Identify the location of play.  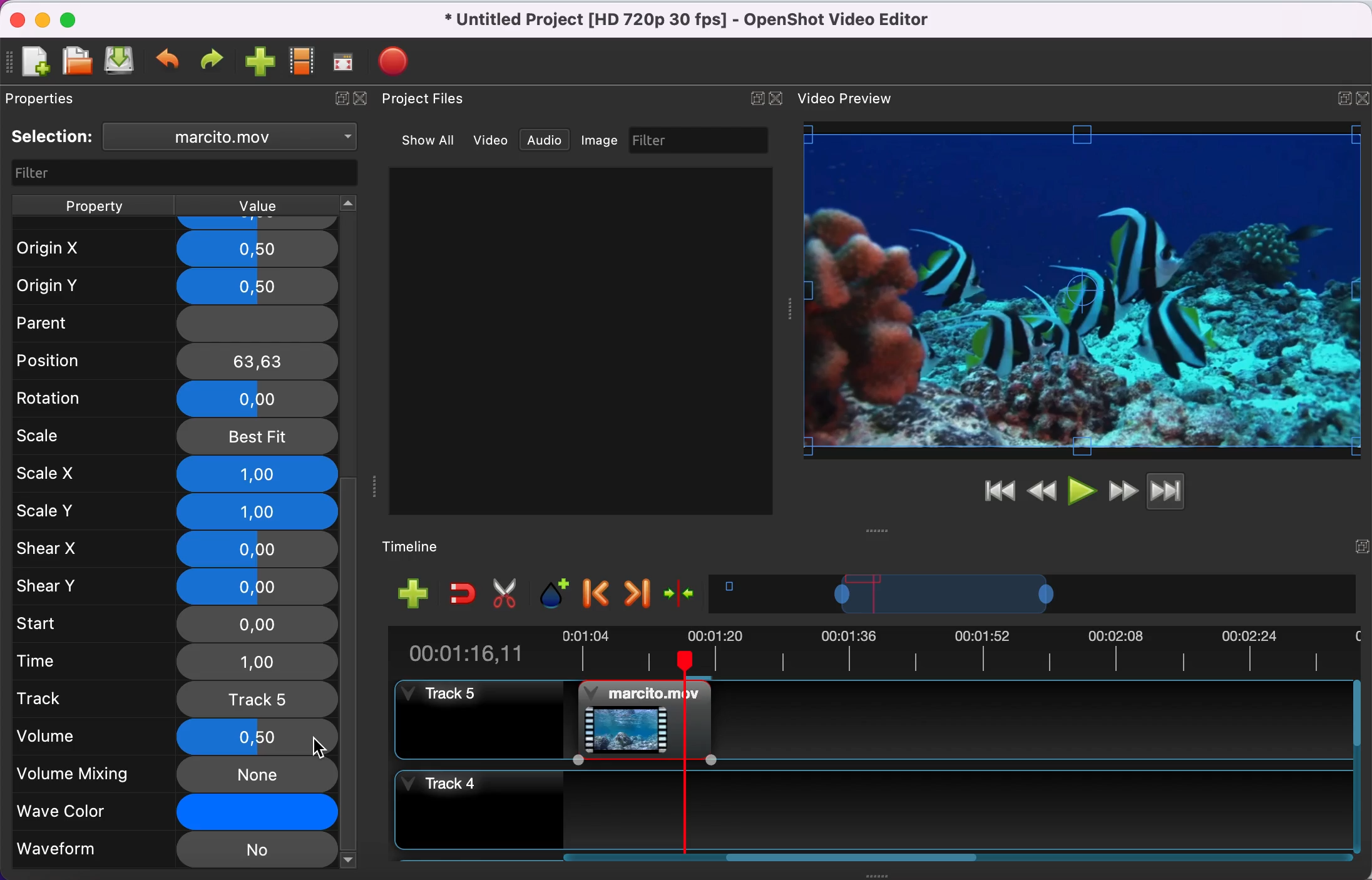
(1082, 489).